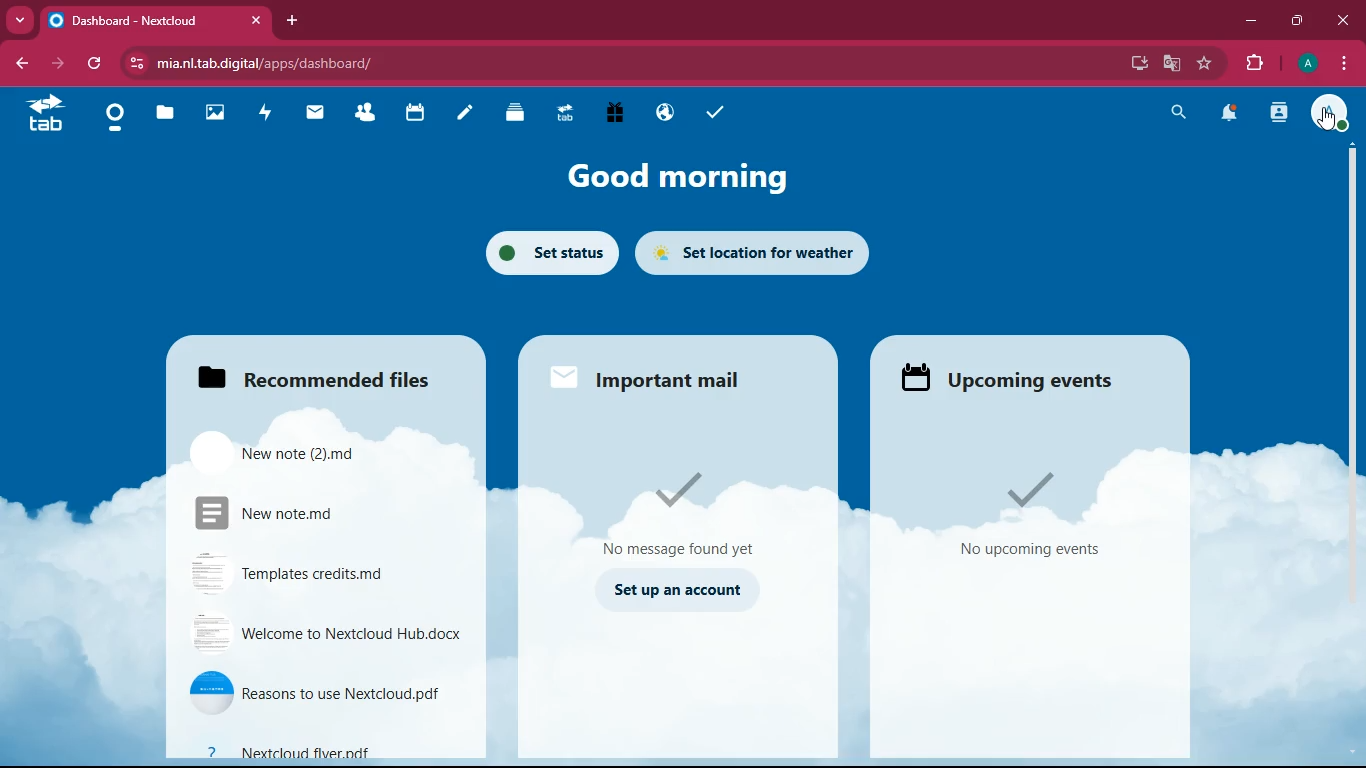 This screenshot has width=1366, height=768. Describe the element at coordinates (1344, 19) in the screenshot. I see `close` at that location.